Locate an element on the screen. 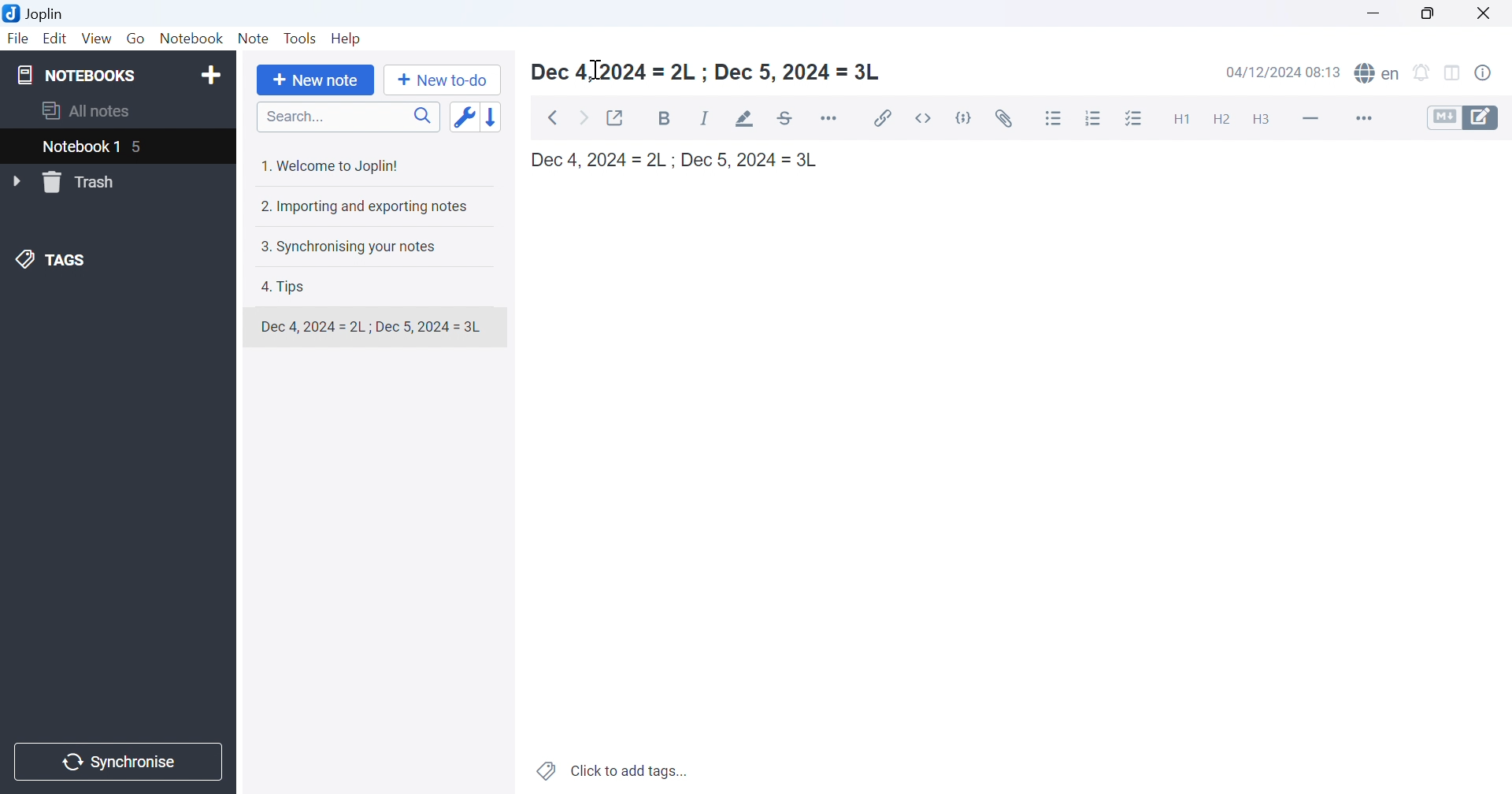  Dec 4, 2024 = 2L ; Dec 5, 2024 = 3L is located at coordinates (371, 327).